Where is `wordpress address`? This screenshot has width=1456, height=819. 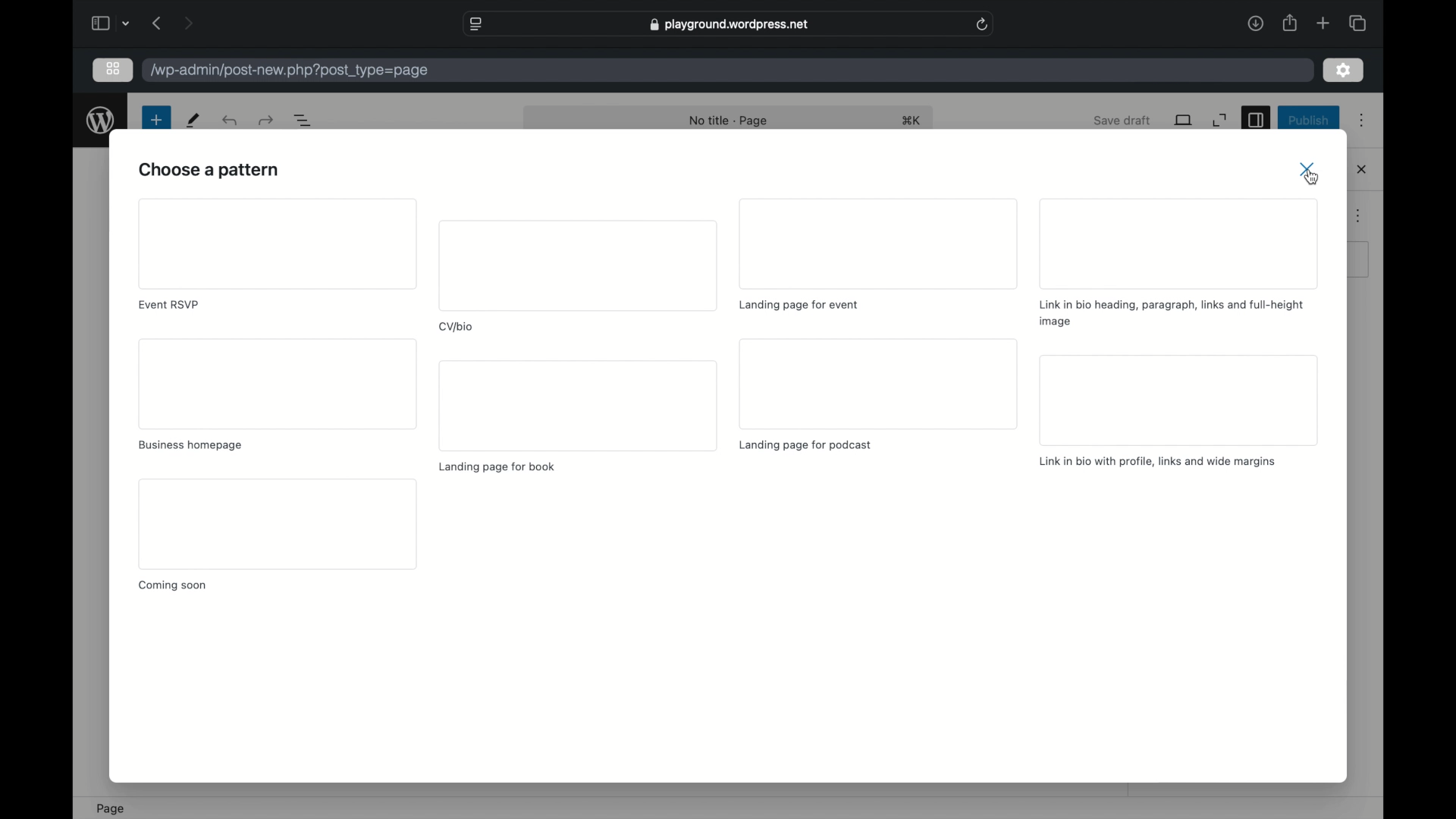
wordpress address is located at coordinates (291, 71).